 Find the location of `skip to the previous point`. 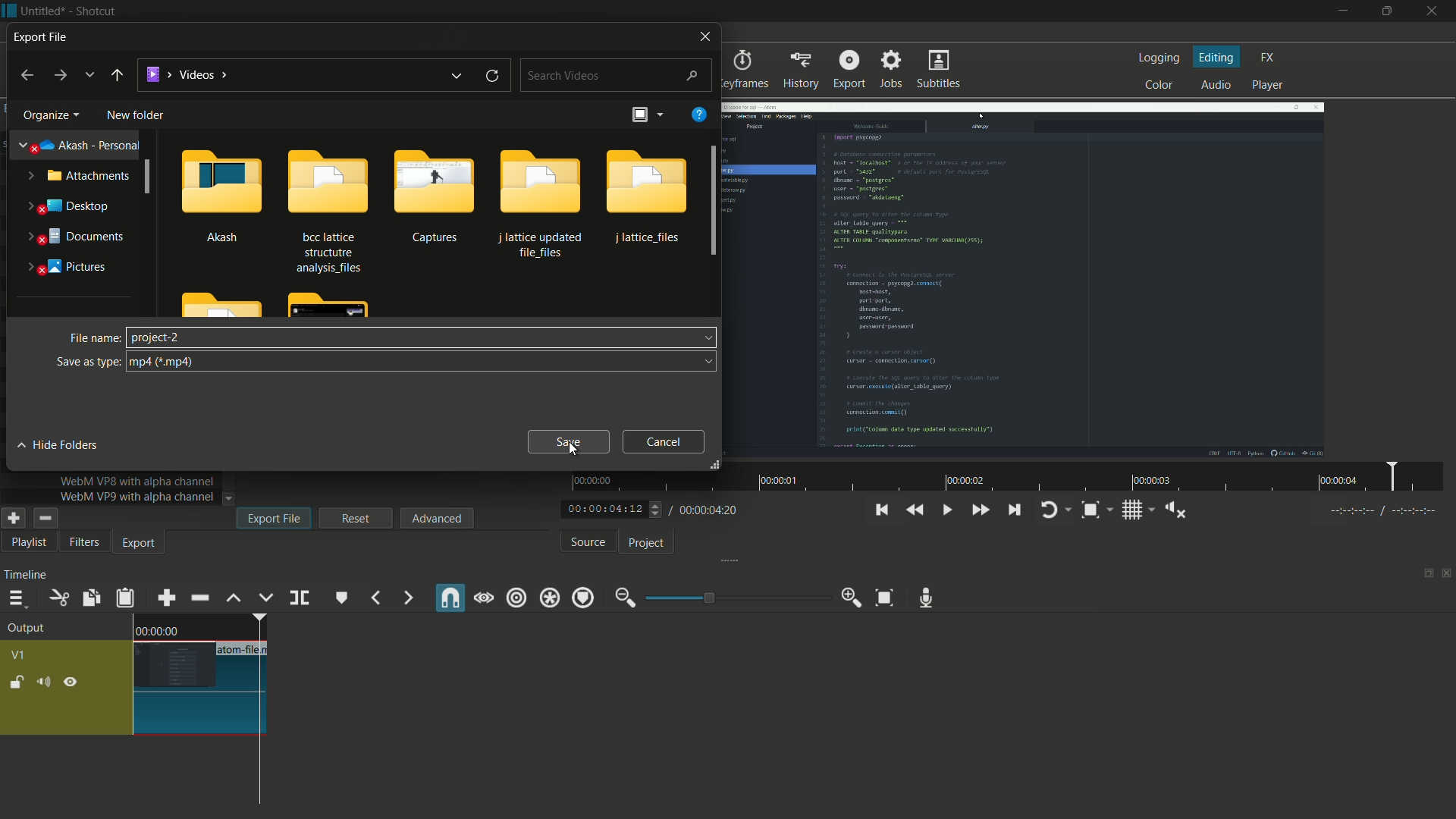

skip to the previous point is located at coordinates (880, 510).